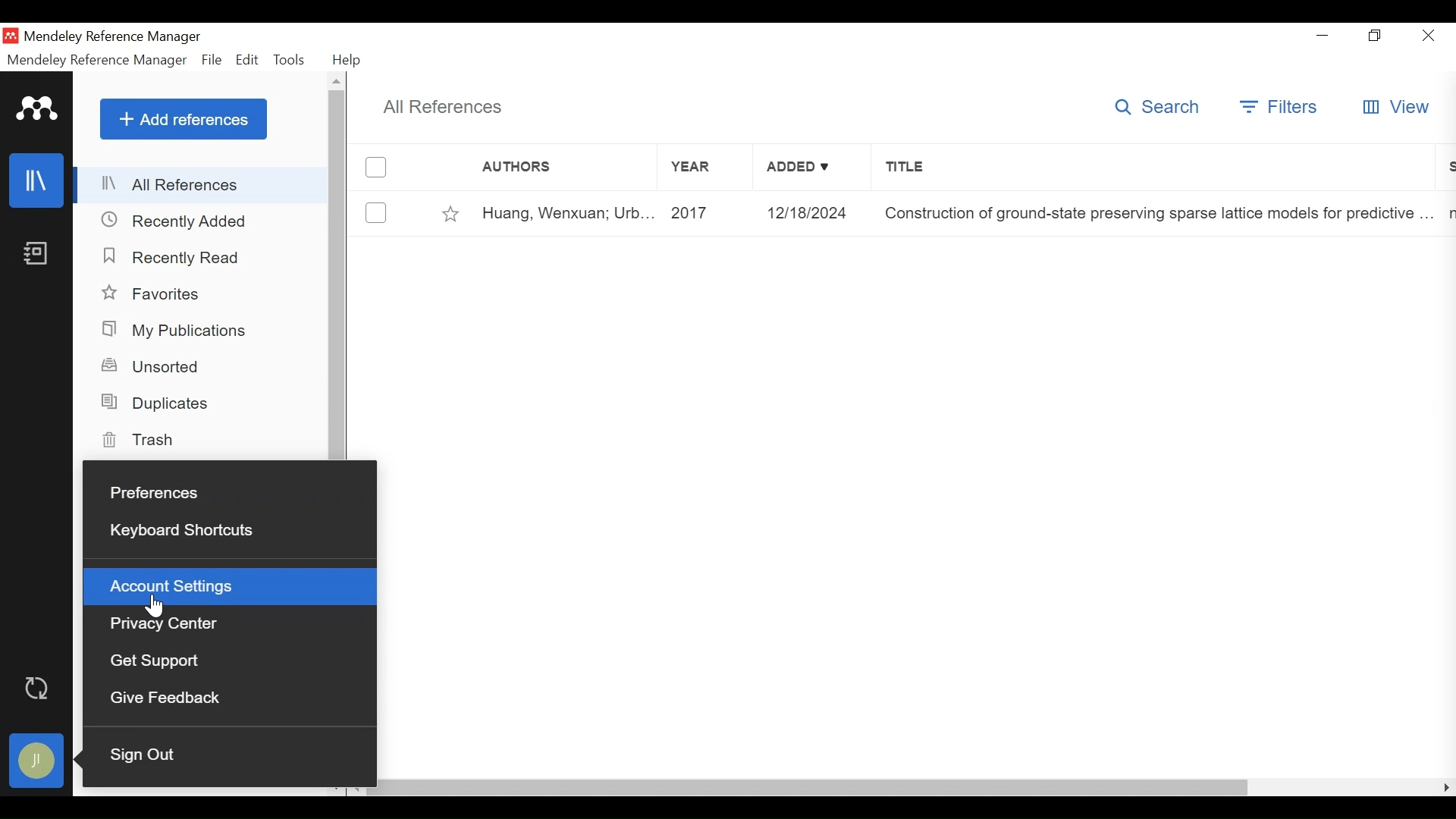 The image size is (1456, 819). What do you see at coordinates (1278, 108) in the screenshot?
I see `Filters` at bounding box center [1278, 108].